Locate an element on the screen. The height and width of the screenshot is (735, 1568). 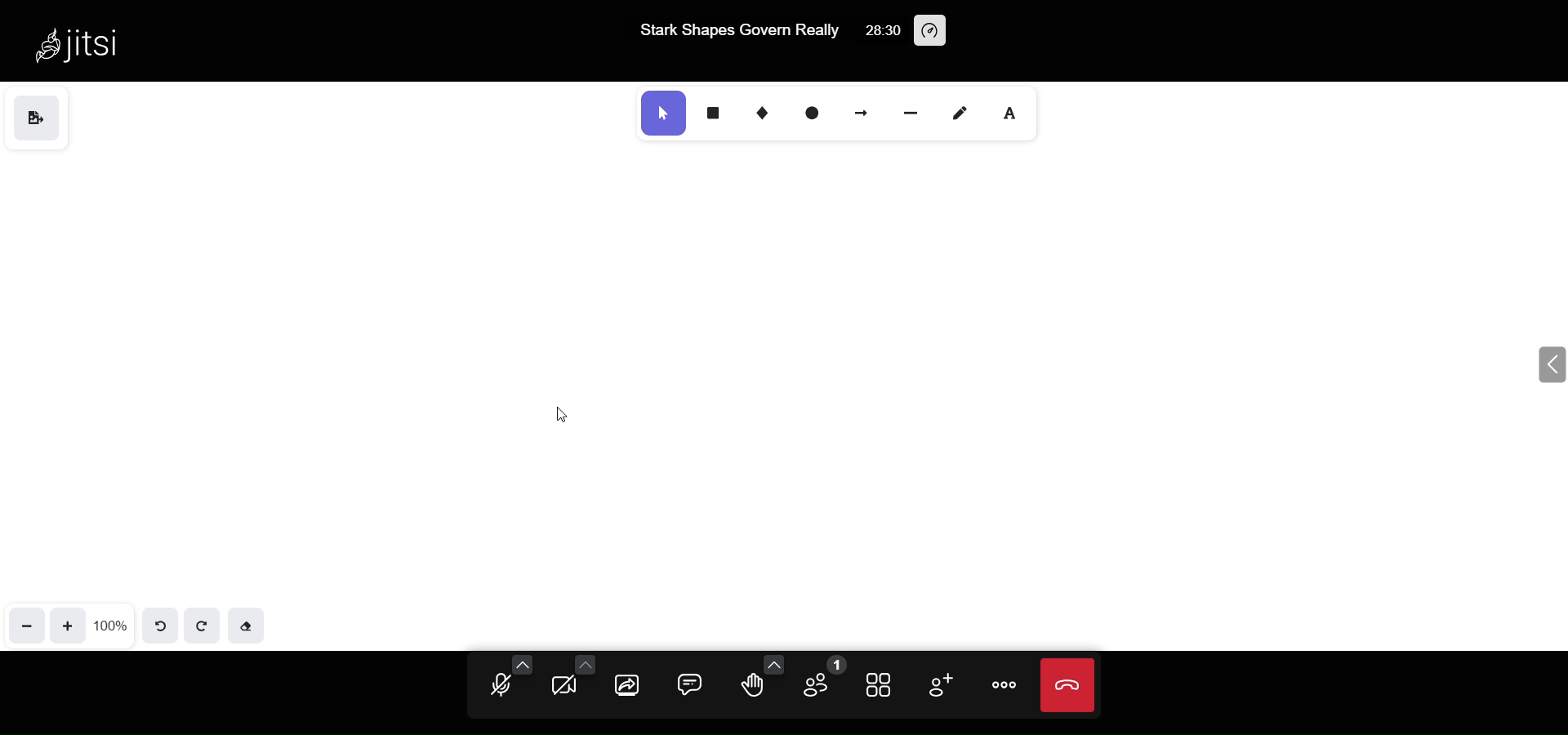
name text deleted is located at coordinates (833, 301).